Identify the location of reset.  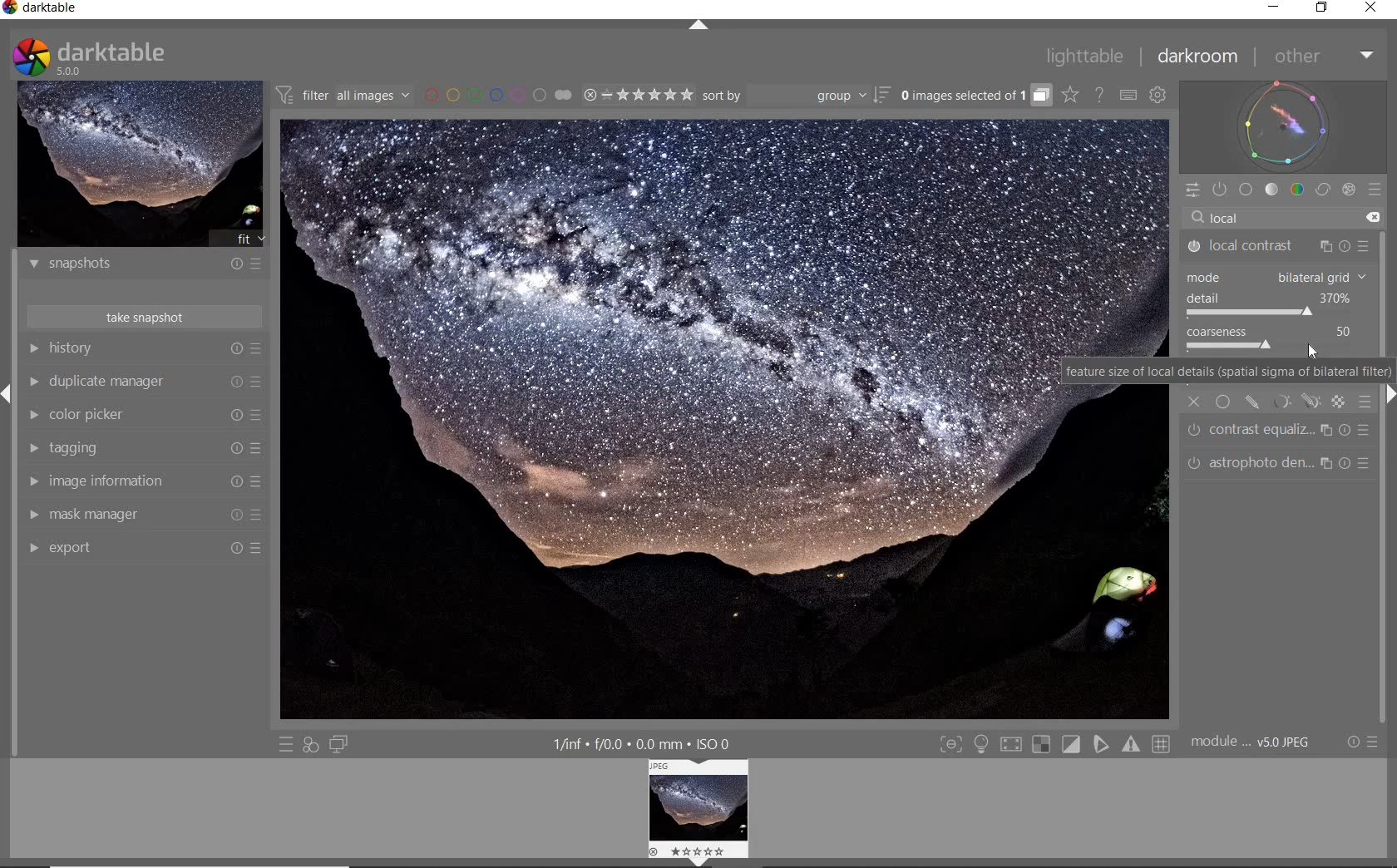
(234, 378).